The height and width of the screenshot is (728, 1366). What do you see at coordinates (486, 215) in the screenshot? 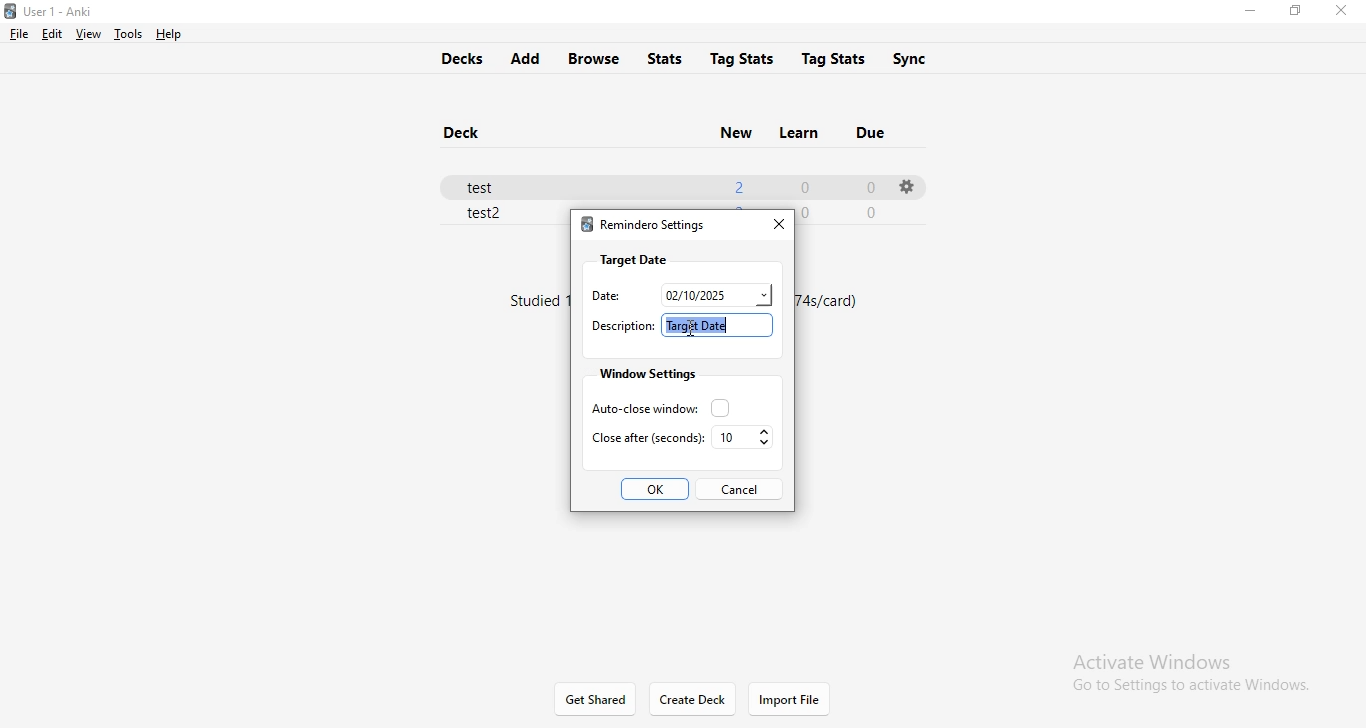
I see `test 2` at bounding box center [486, 215].